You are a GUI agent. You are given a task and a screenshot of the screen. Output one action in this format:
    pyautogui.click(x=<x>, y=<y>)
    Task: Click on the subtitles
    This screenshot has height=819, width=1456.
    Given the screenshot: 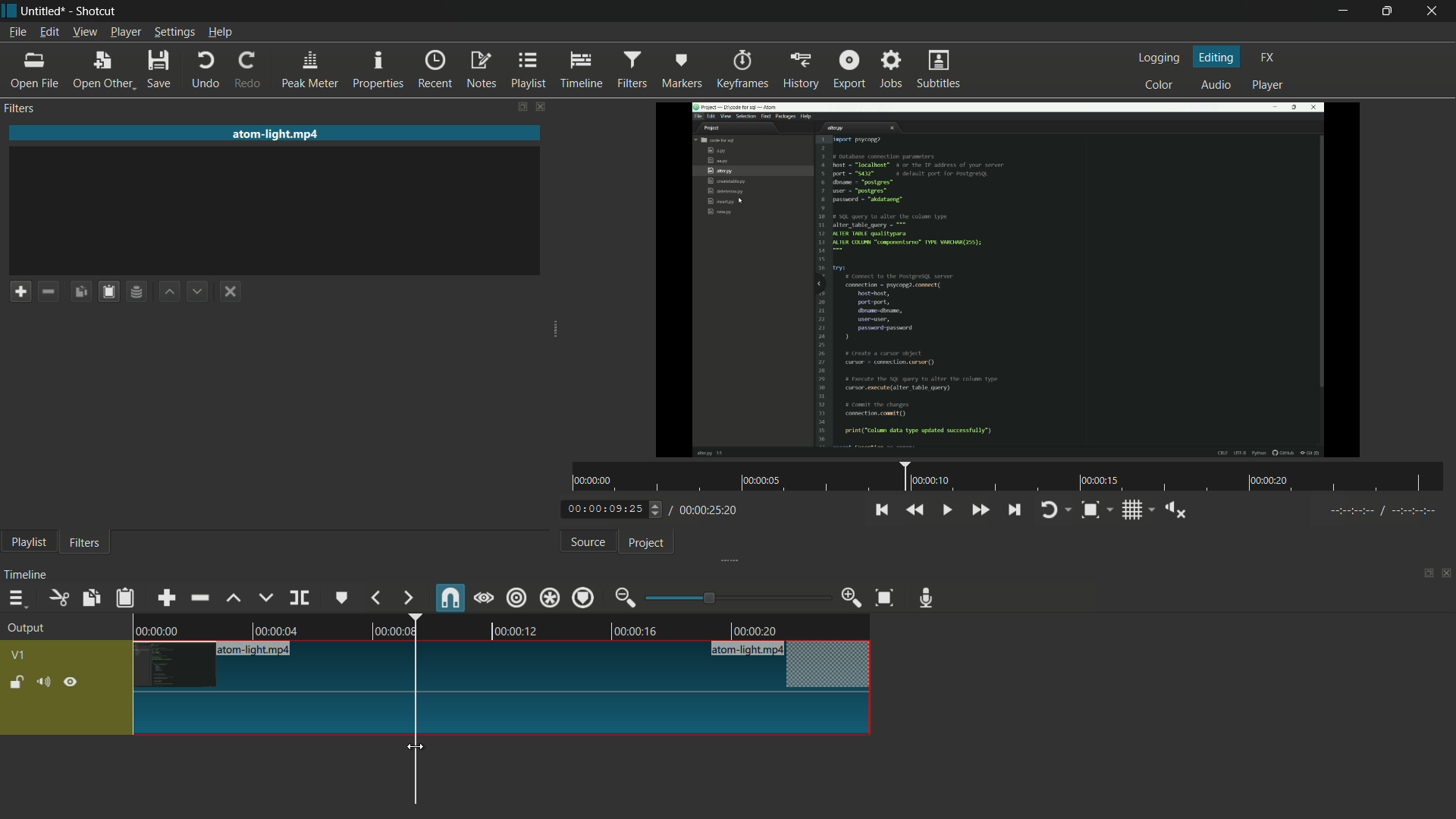 What is the action you would take?
    pyautogui.click(x=941, y=71)
    